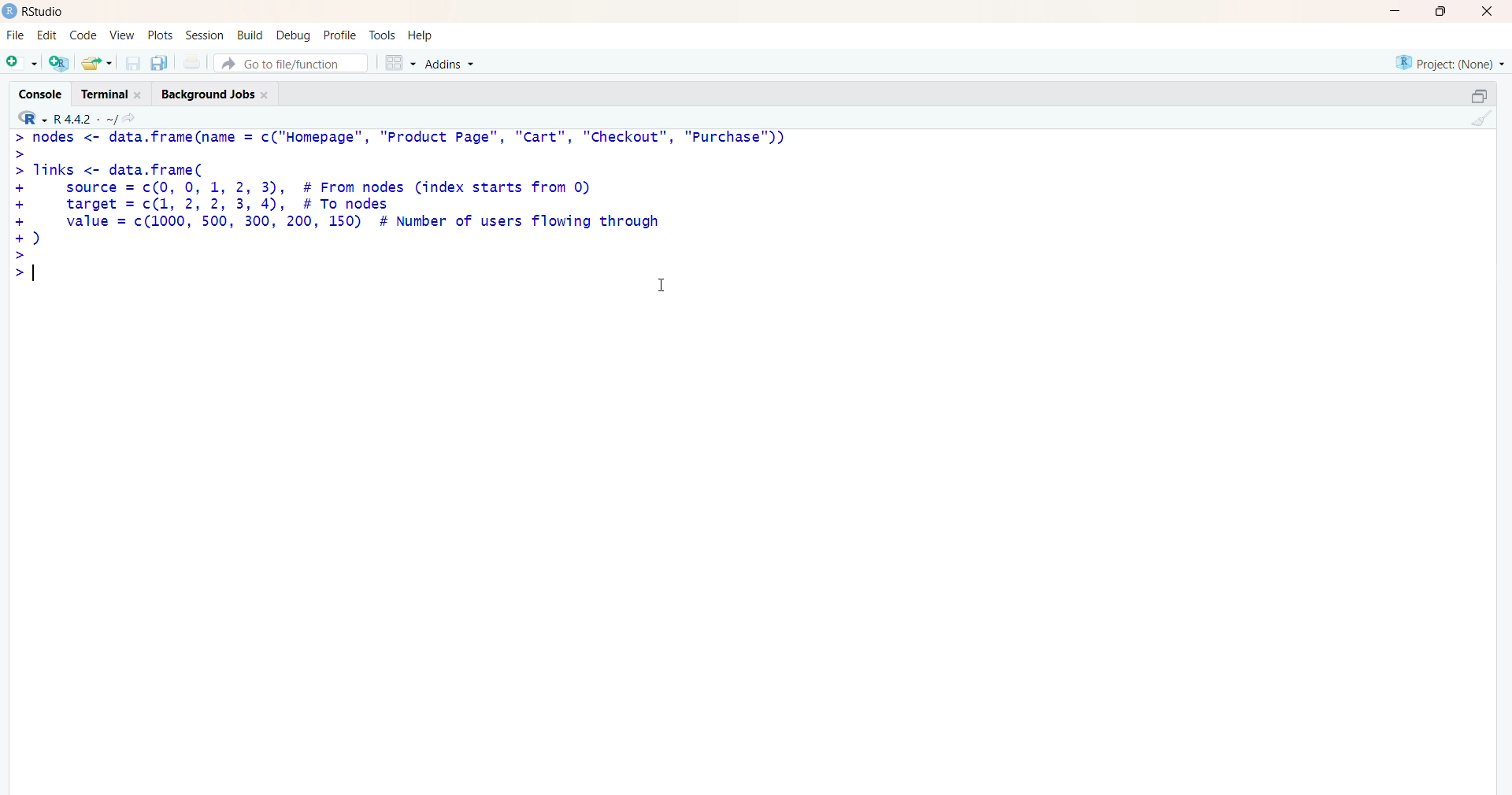  Describe the element at coordinates (1486, 121) in the screenshot. I see `clear` at that location.